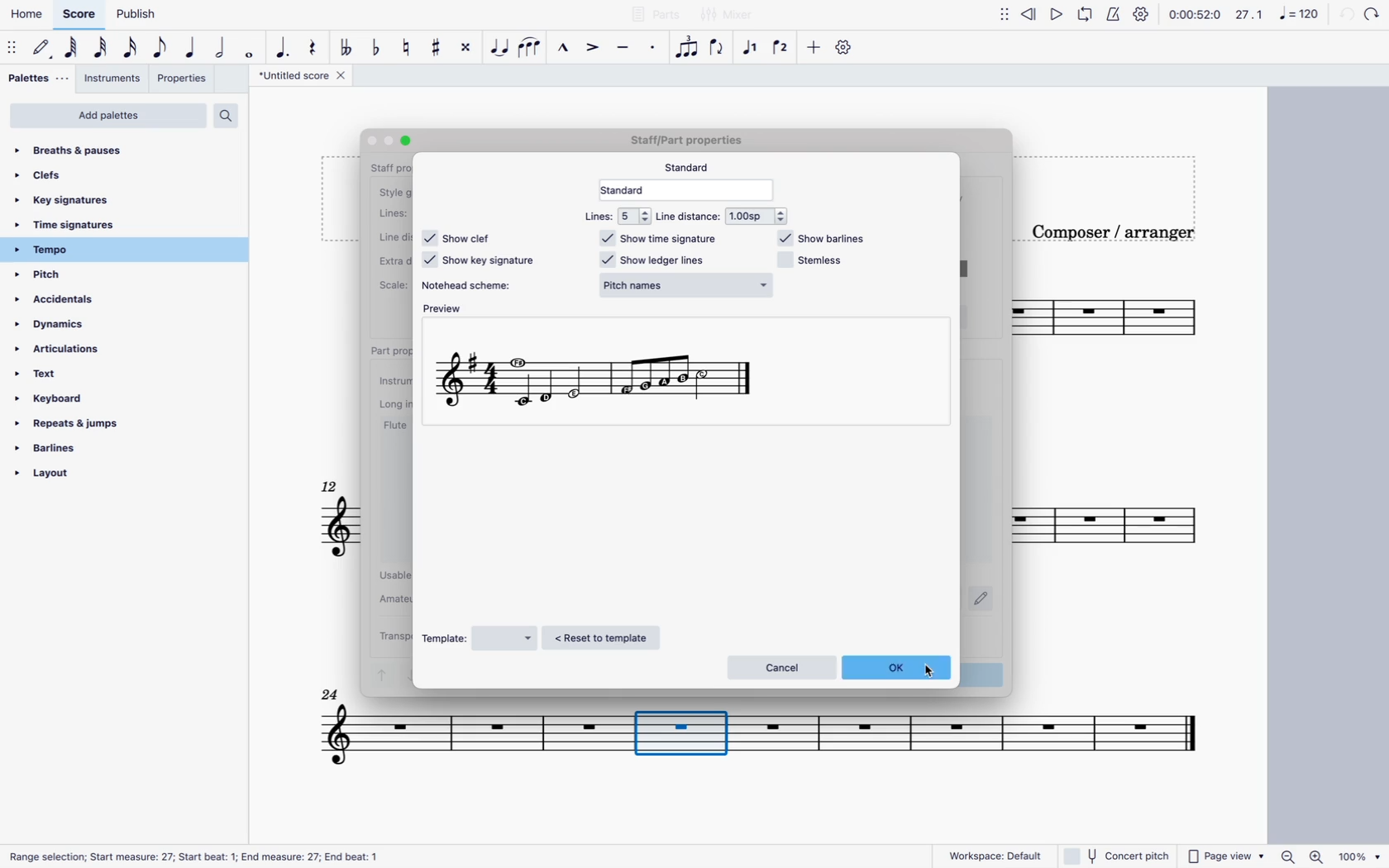  I want to click on add palettes, so click(109, 117).